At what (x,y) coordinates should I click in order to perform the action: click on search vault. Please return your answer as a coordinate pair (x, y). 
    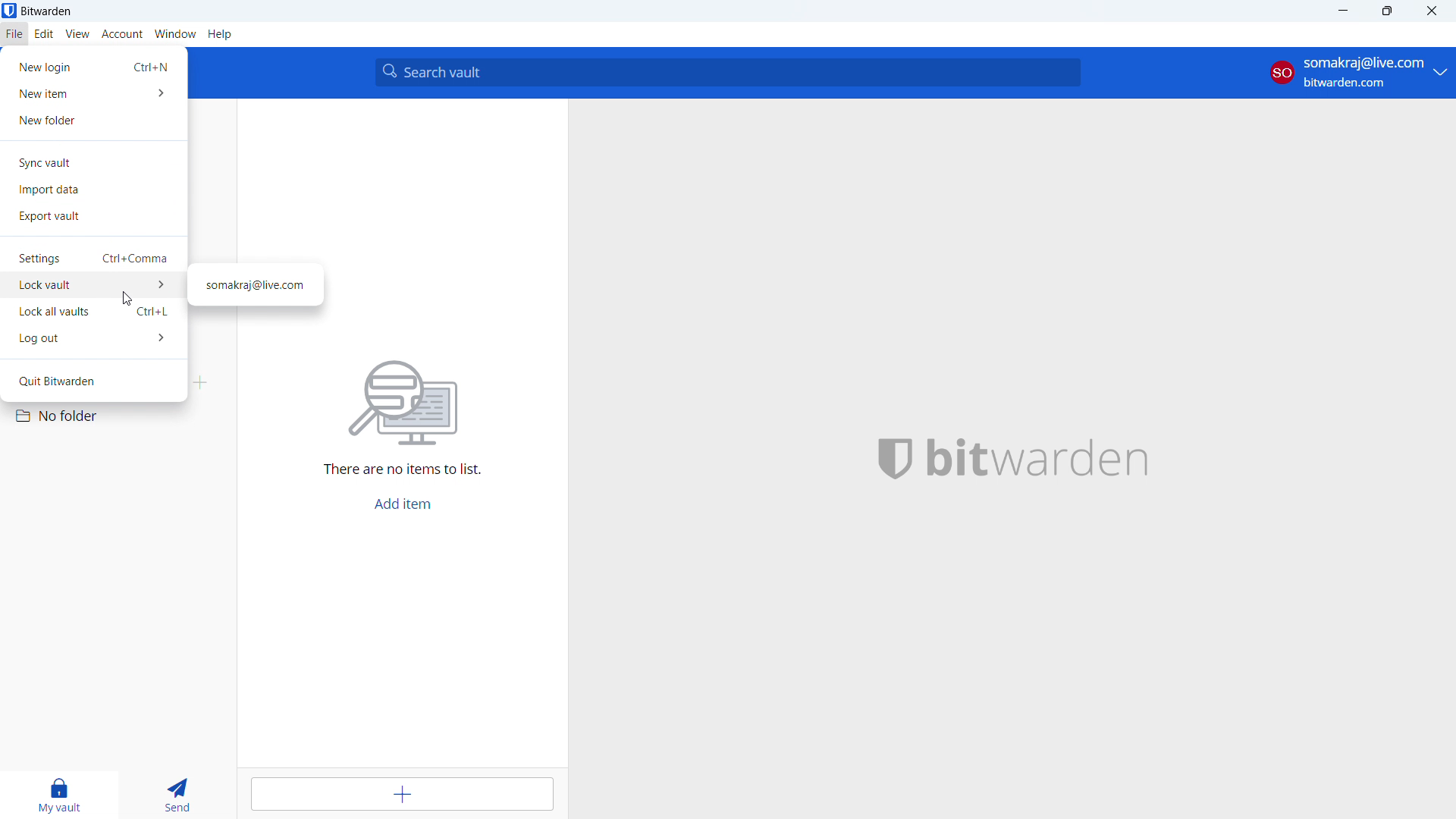
    Looking at the image, I should click on (728, 72).